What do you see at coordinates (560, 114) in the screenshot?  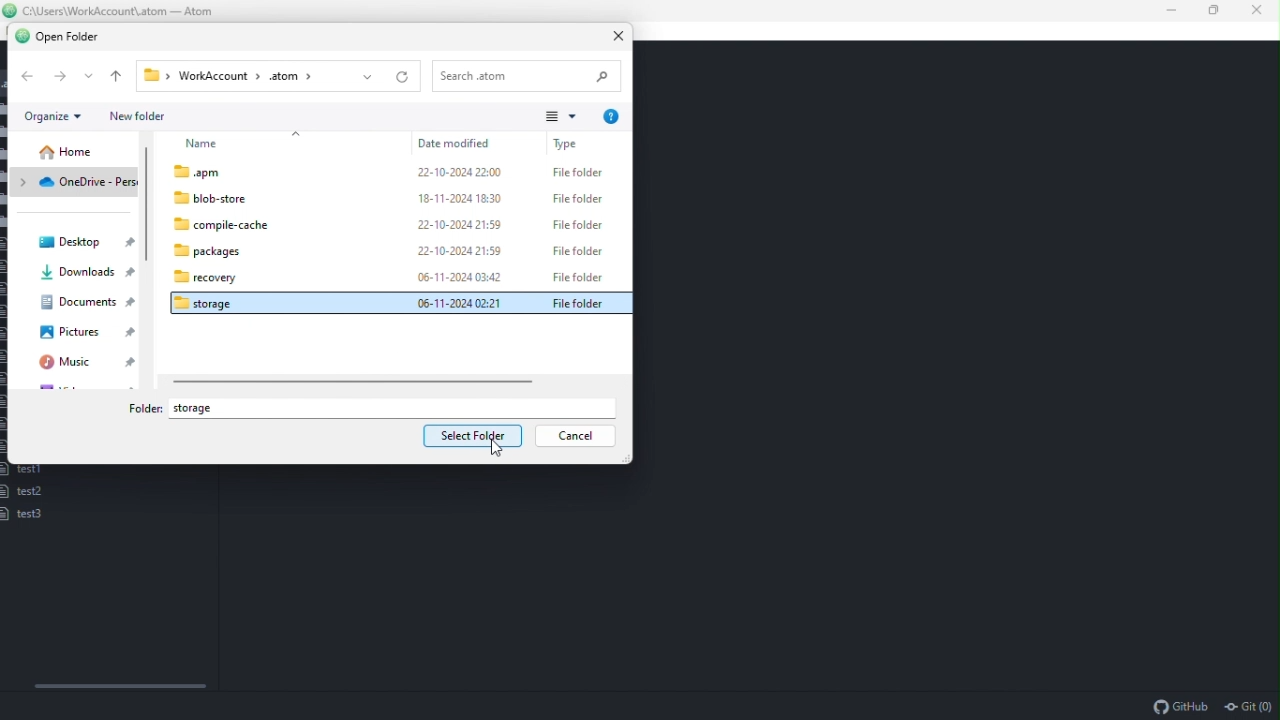 I see `View` at bounding box center [560, 114].